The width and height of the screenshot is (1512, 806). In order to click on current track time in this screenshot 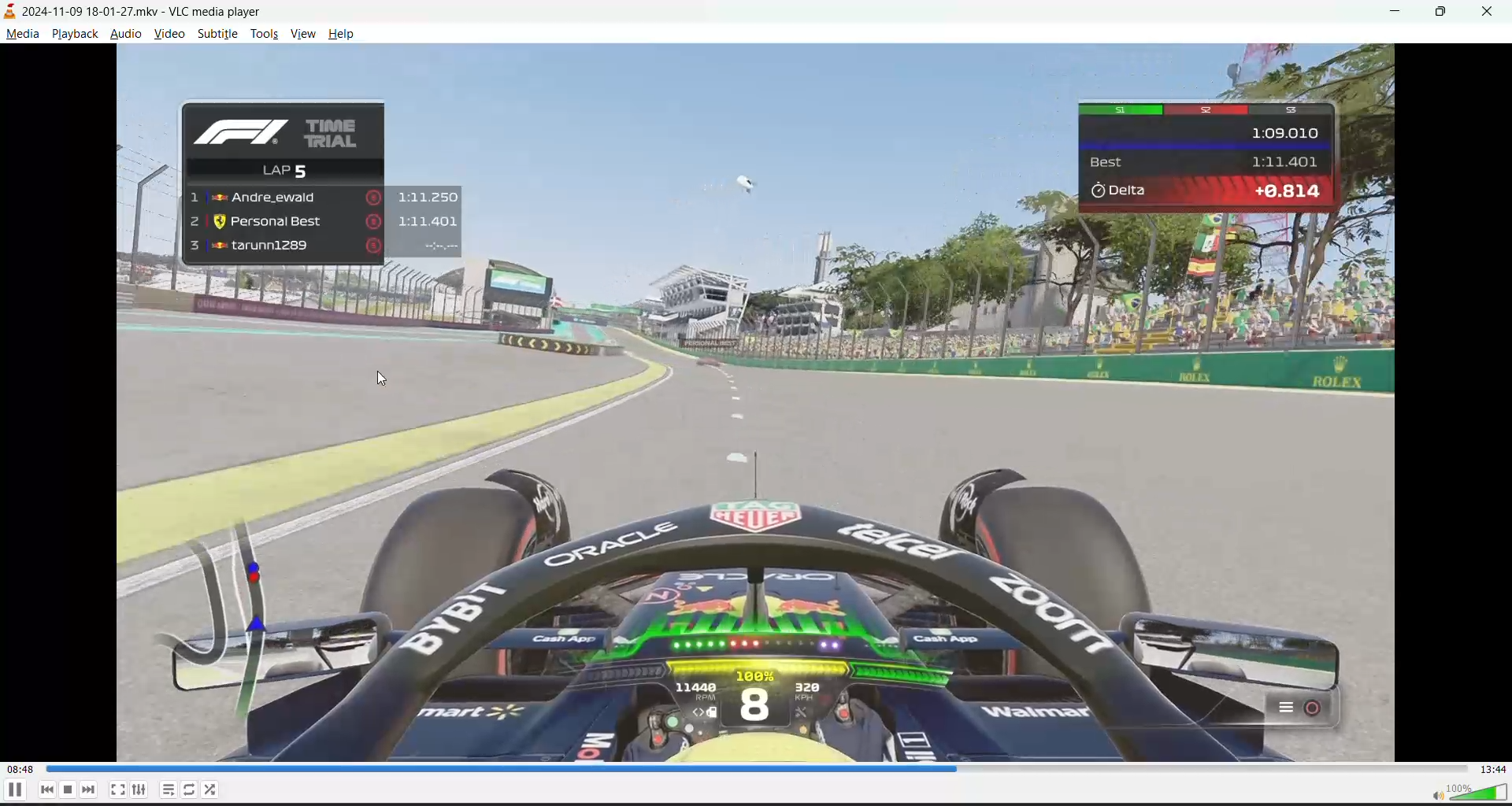, I will do `click(20, 766)`.